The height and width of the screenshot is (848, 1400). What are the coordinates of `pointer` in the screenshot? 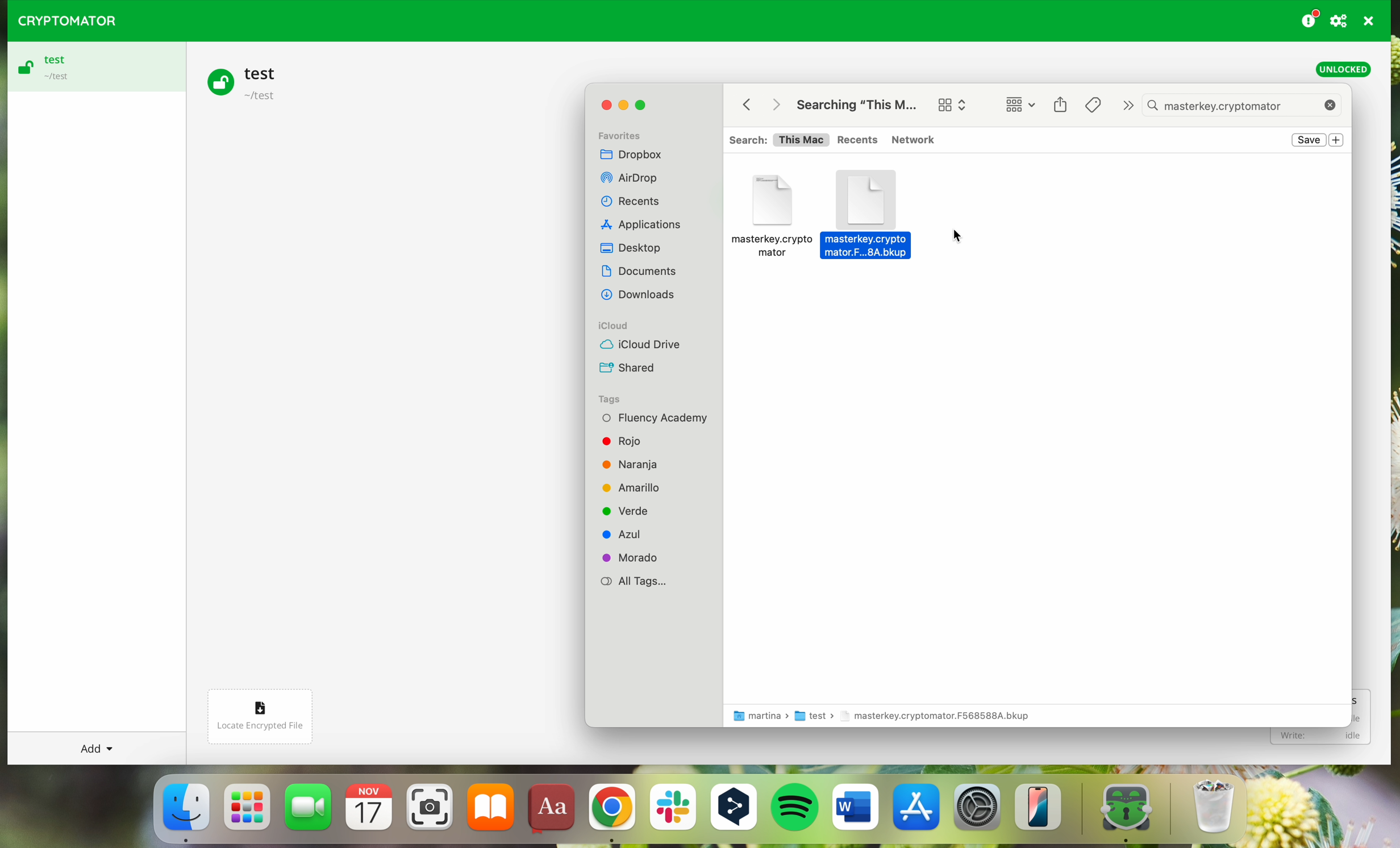 It's located at (958, 236).